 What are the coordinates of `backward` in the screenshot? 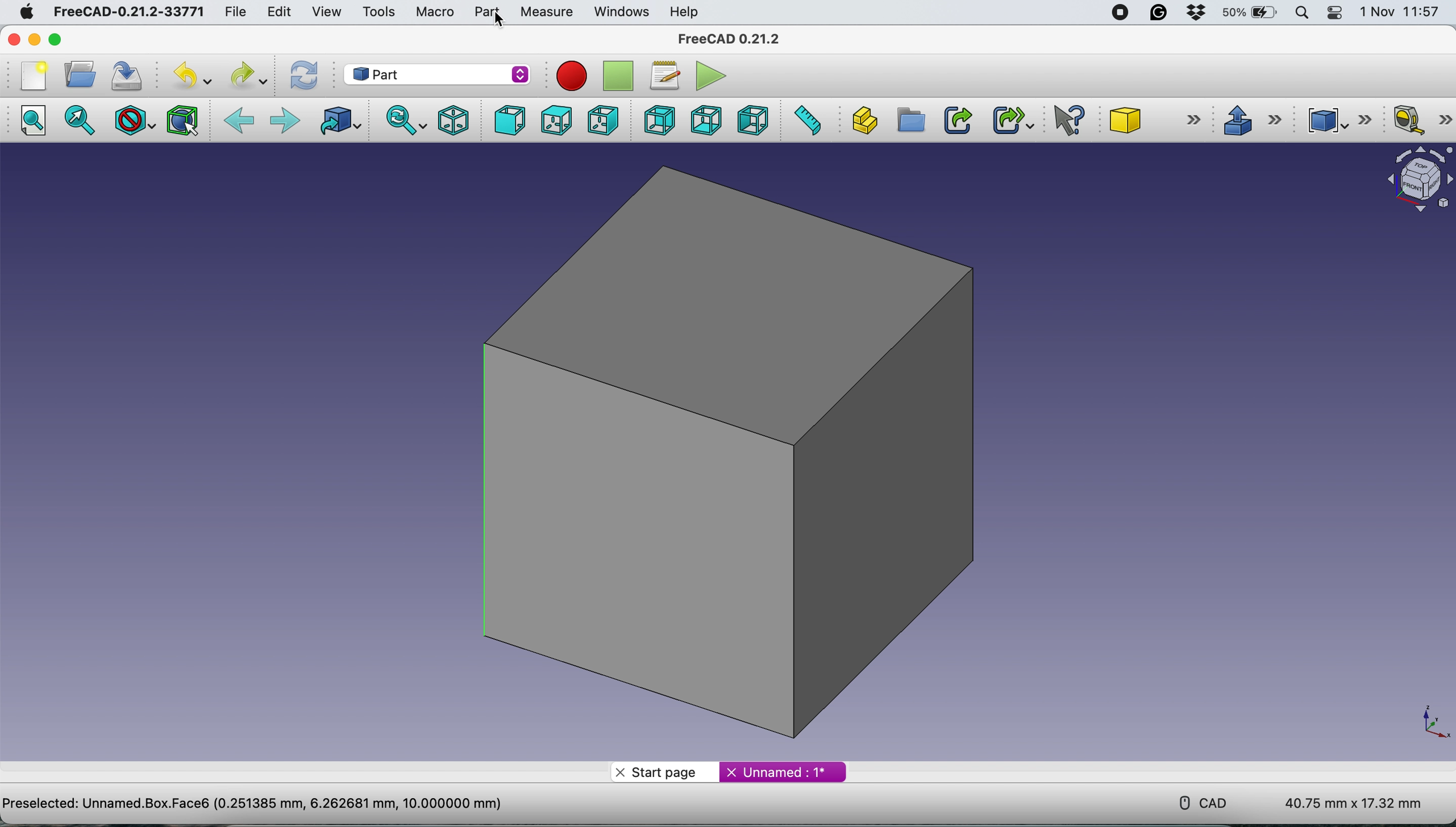 It's located at (239, 122).